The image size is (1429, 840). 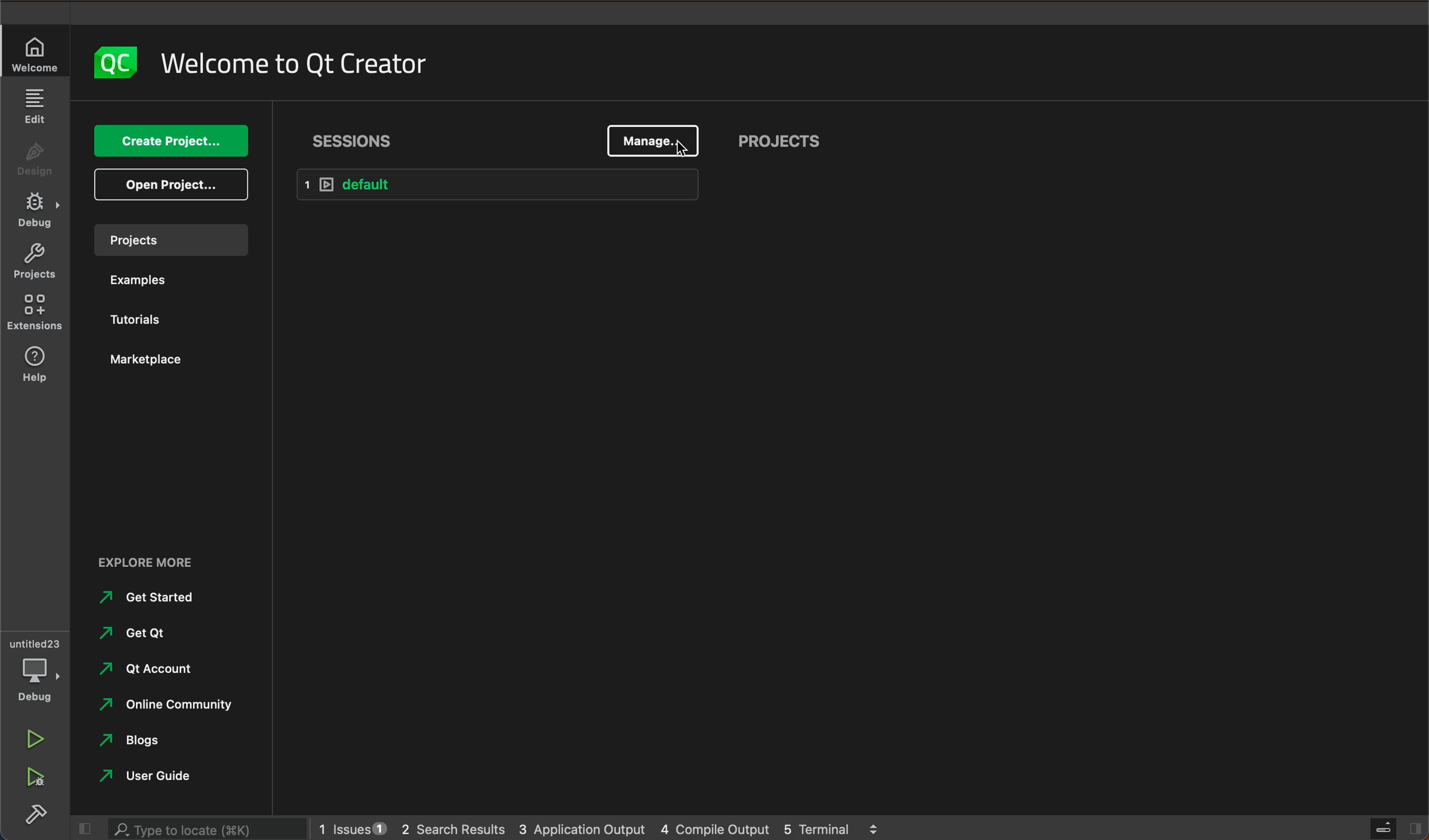 What do you see at coordinates (174, 142) in the screenshot?
I see `create project` at bounding box center [174, 142].